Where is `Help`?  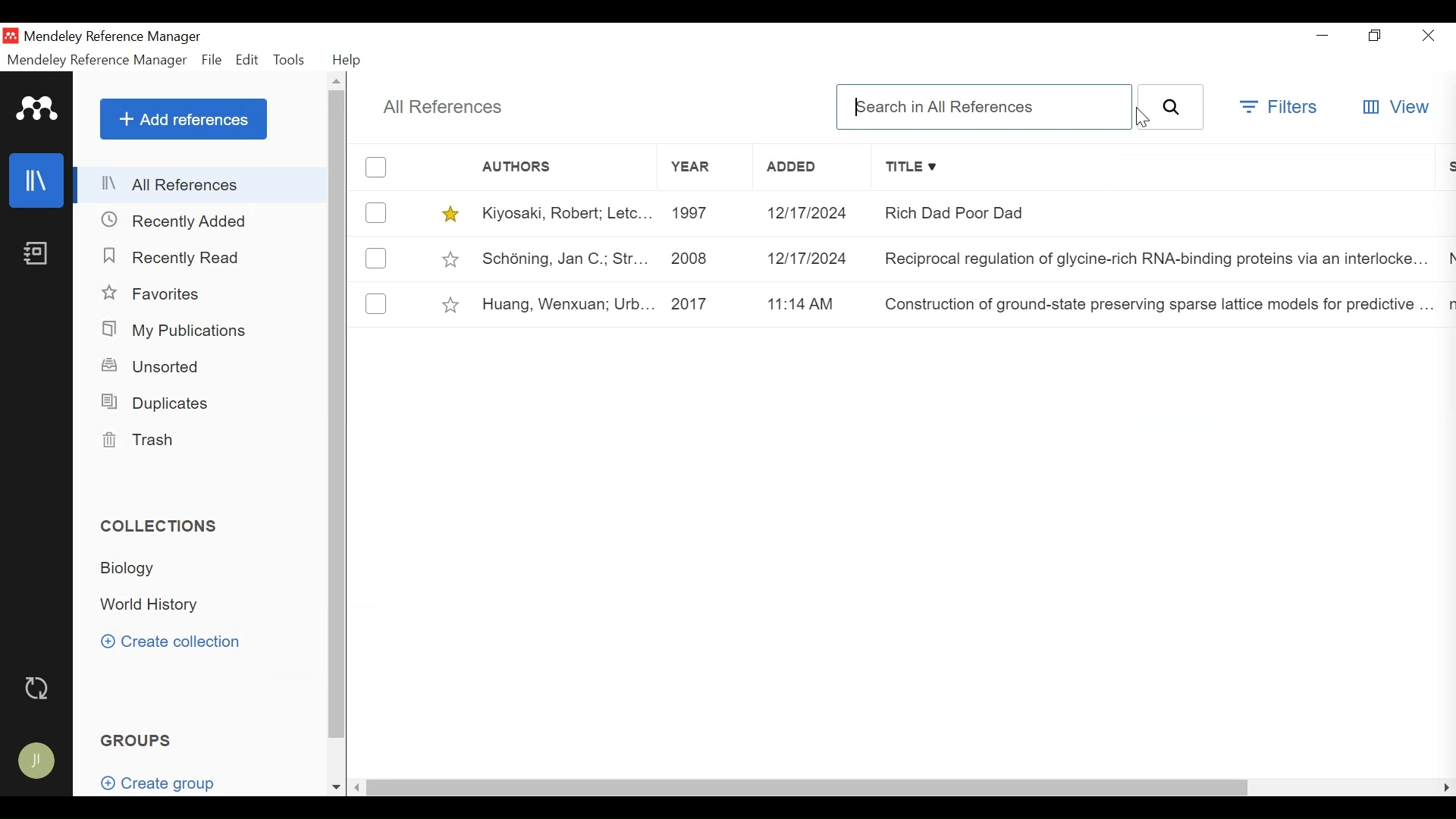 Help is located at coordinates (349, 61).